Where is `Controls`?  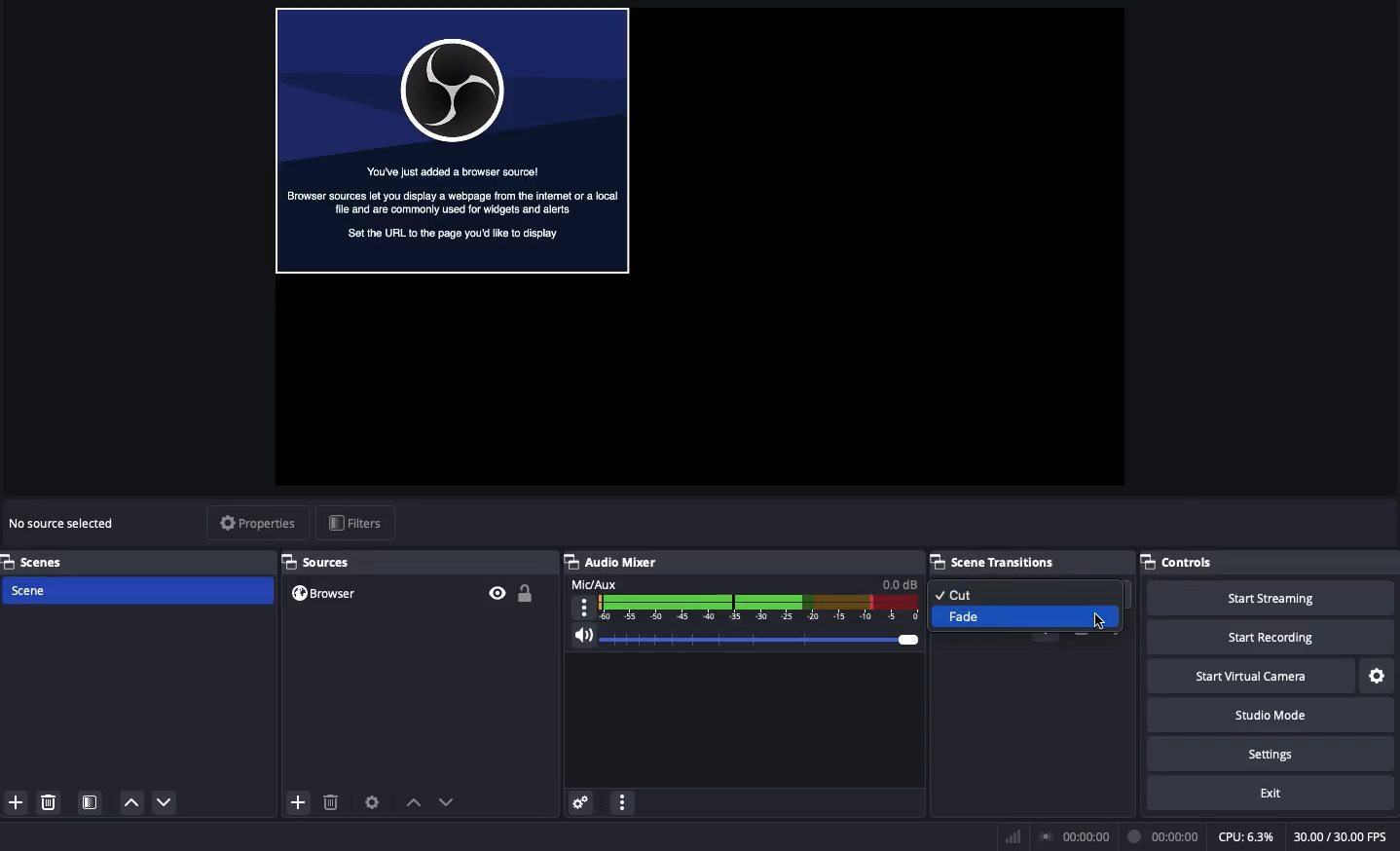 Controls is located at coordinates (1189, 563).